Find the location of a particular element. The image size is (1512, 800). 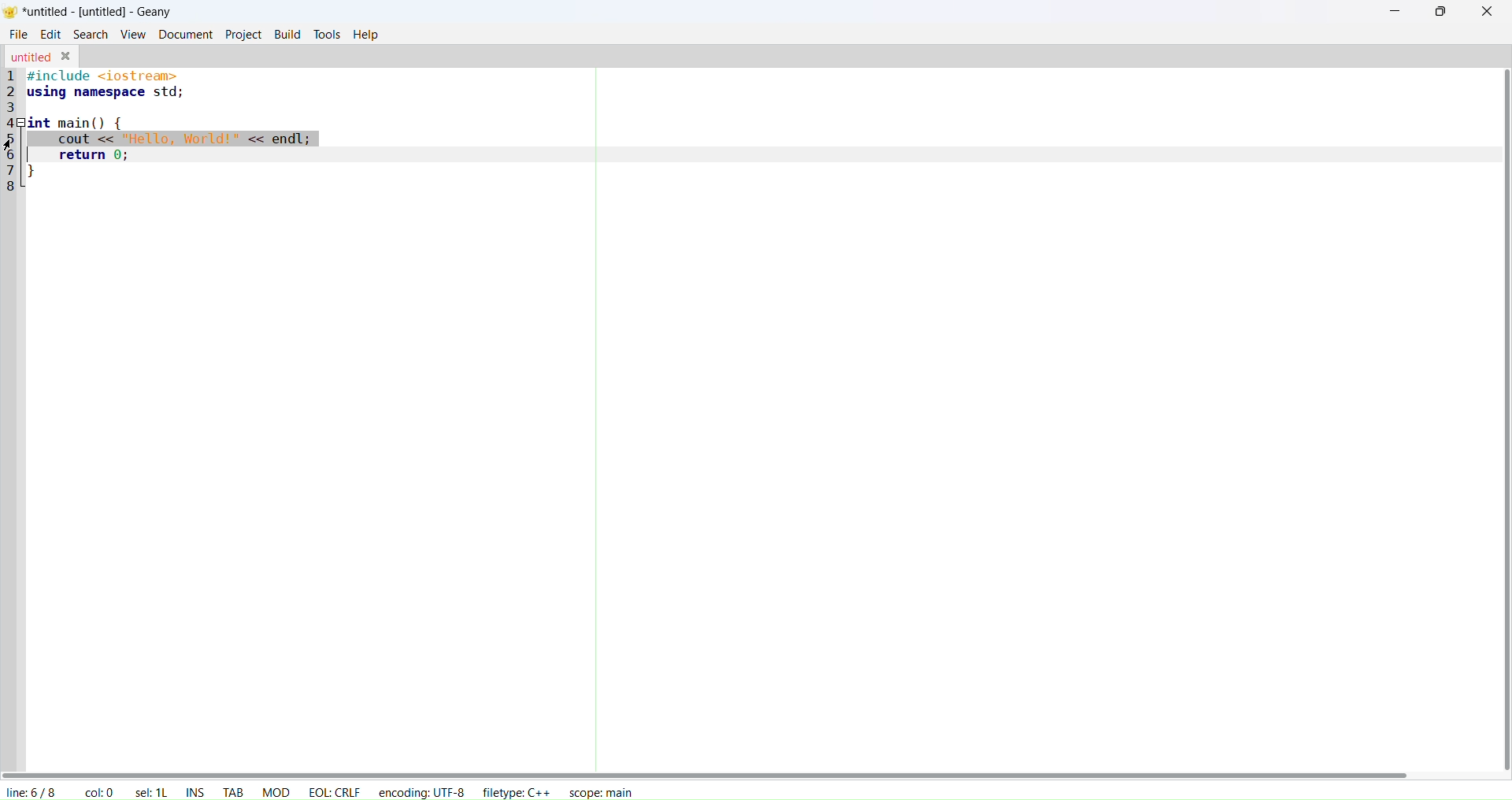

project is located at coordinates (242, 34).